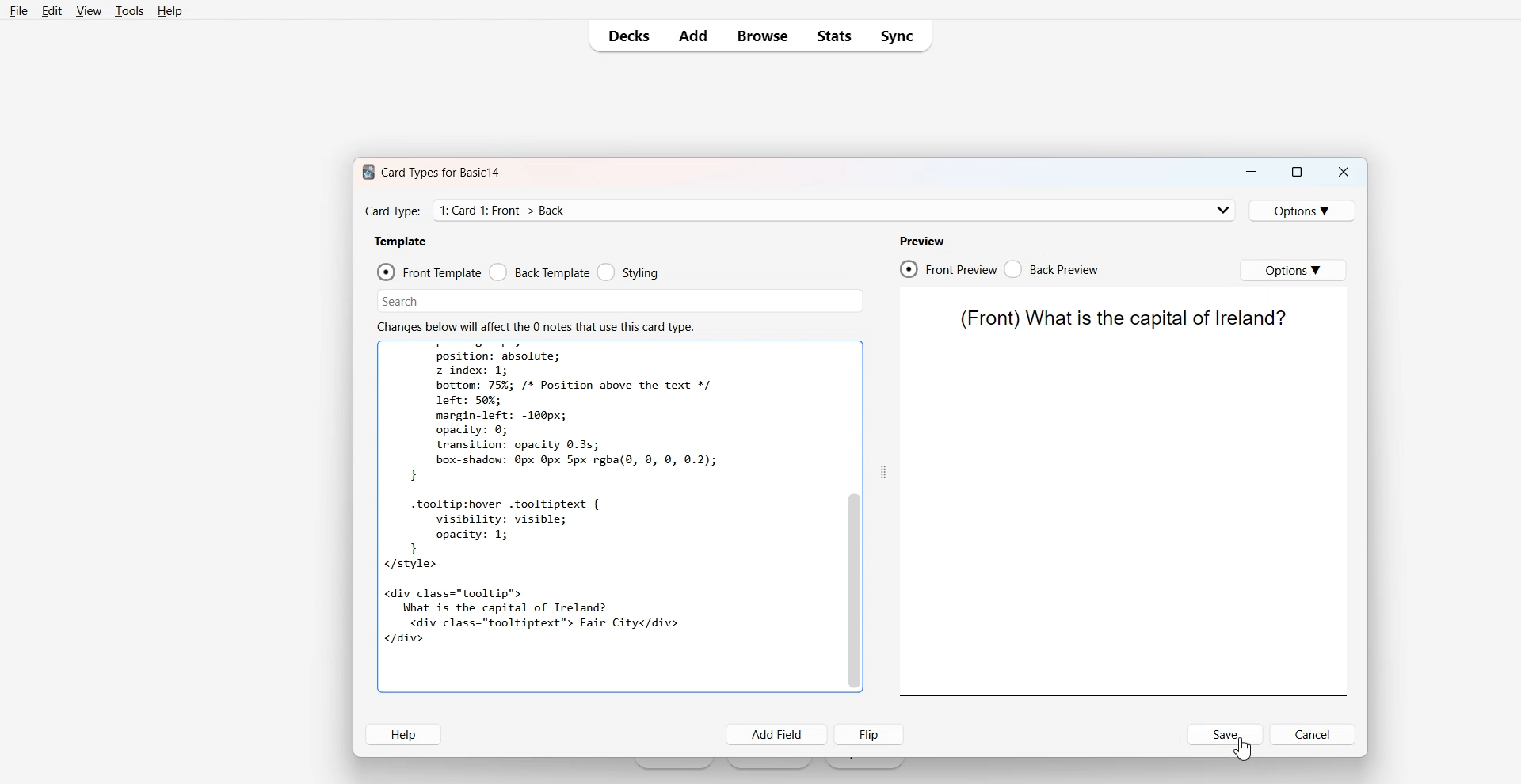 The height and width of the screenshot is (784, 1521). Describe the element at coordinates (884, 471) in the screenshot. I see `Drag handle` at that location.